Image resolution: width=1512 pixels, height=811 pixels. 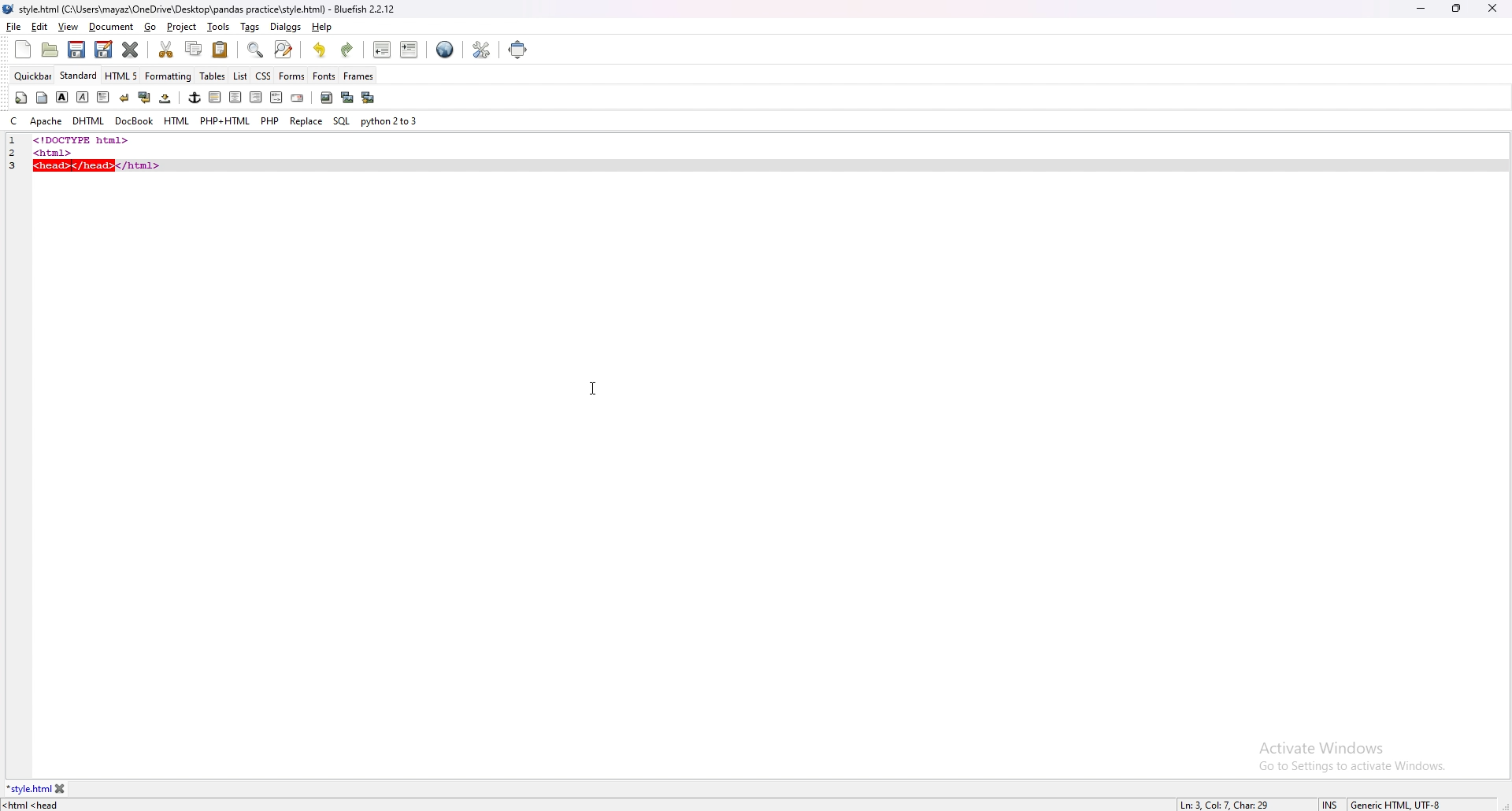 I want to click on fonts, so click(x=324, y=76).